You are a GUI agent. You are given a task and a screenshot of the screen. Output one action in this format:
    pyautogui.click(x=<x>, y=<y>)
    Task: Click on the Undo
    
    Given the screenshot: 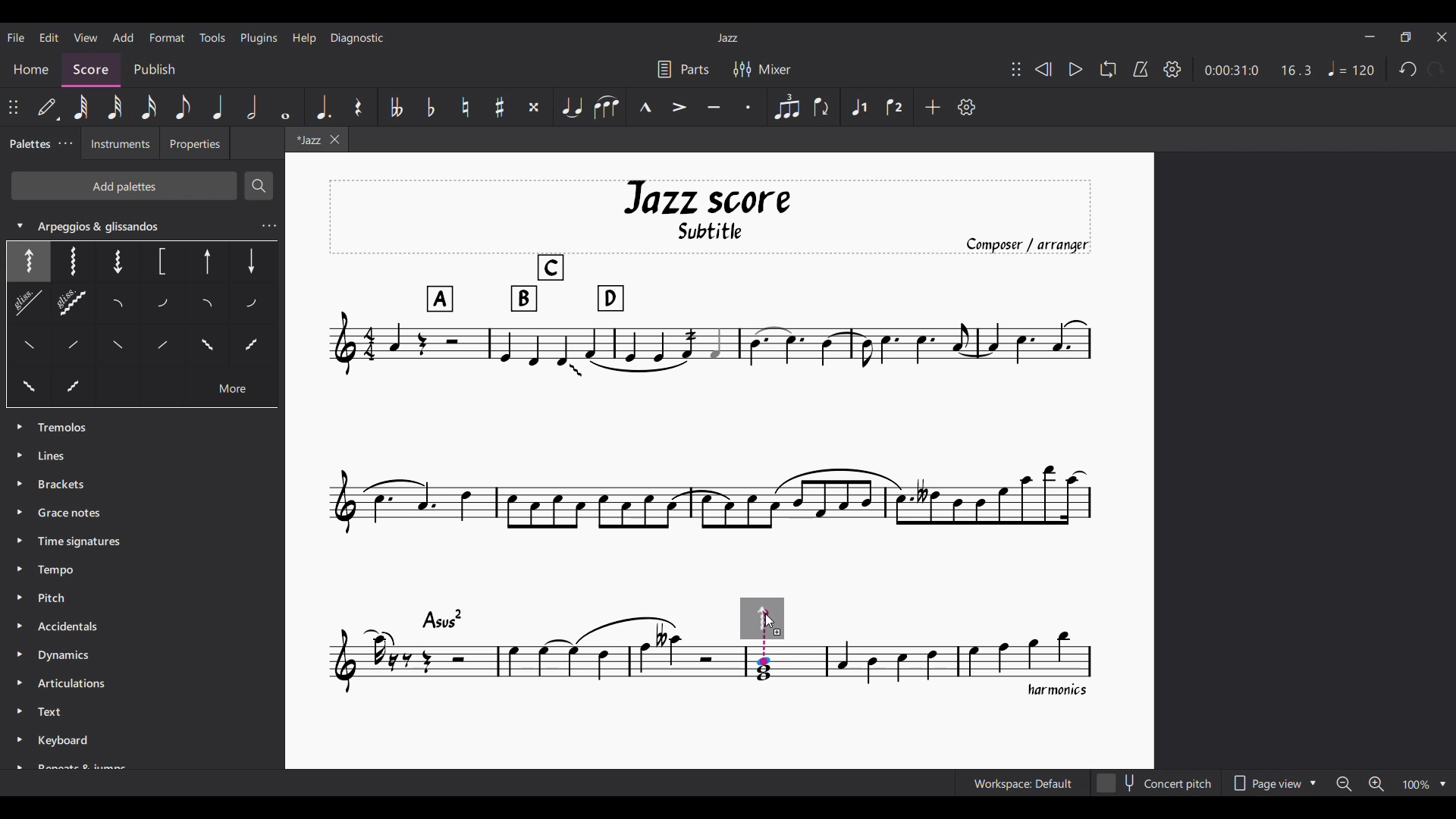 What is the action you would take?
    pyautogui.click(x=1408, y=69)
    